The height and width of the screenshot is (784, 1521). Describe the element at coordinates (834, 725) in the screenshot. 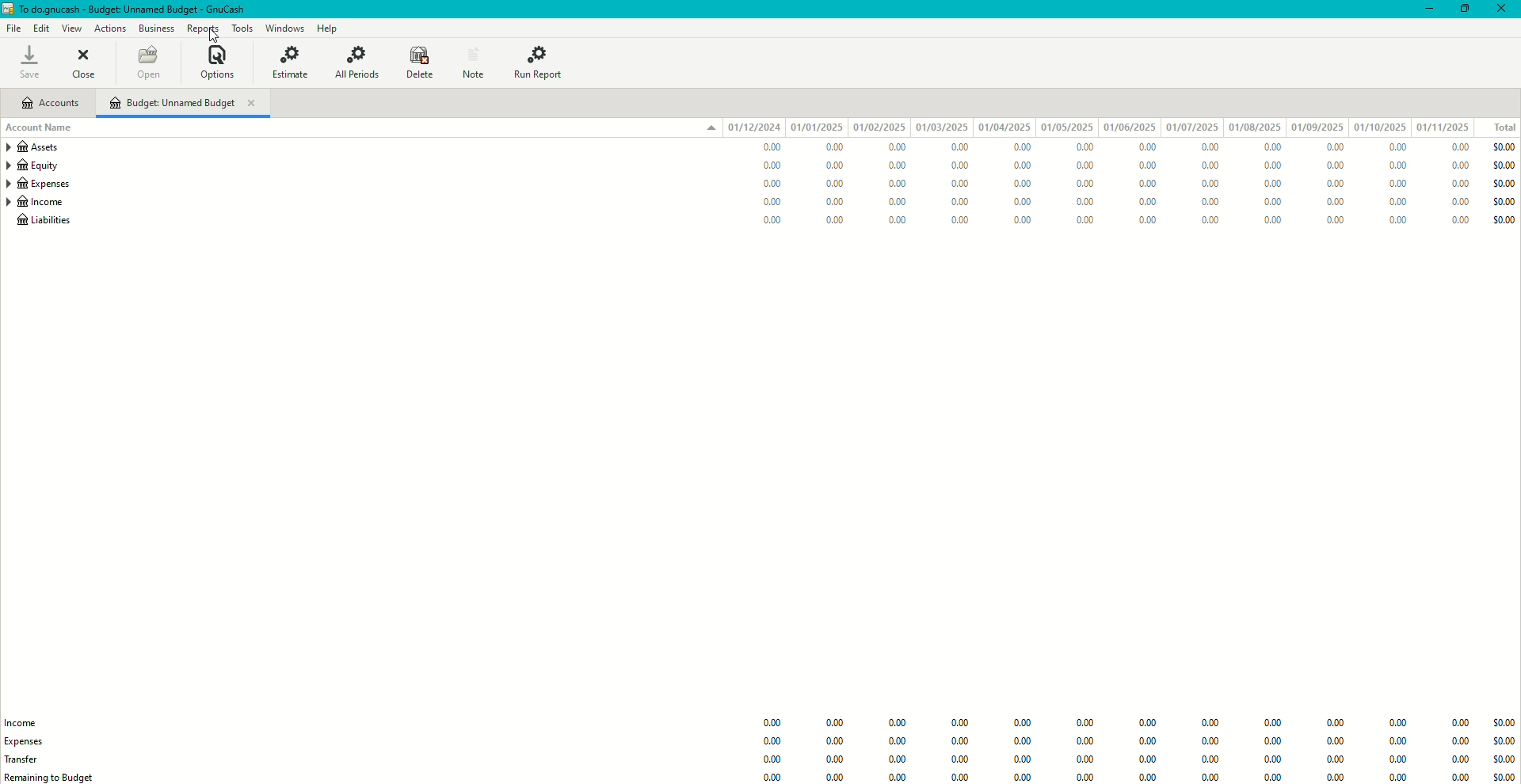

I see `0.00` at that location.